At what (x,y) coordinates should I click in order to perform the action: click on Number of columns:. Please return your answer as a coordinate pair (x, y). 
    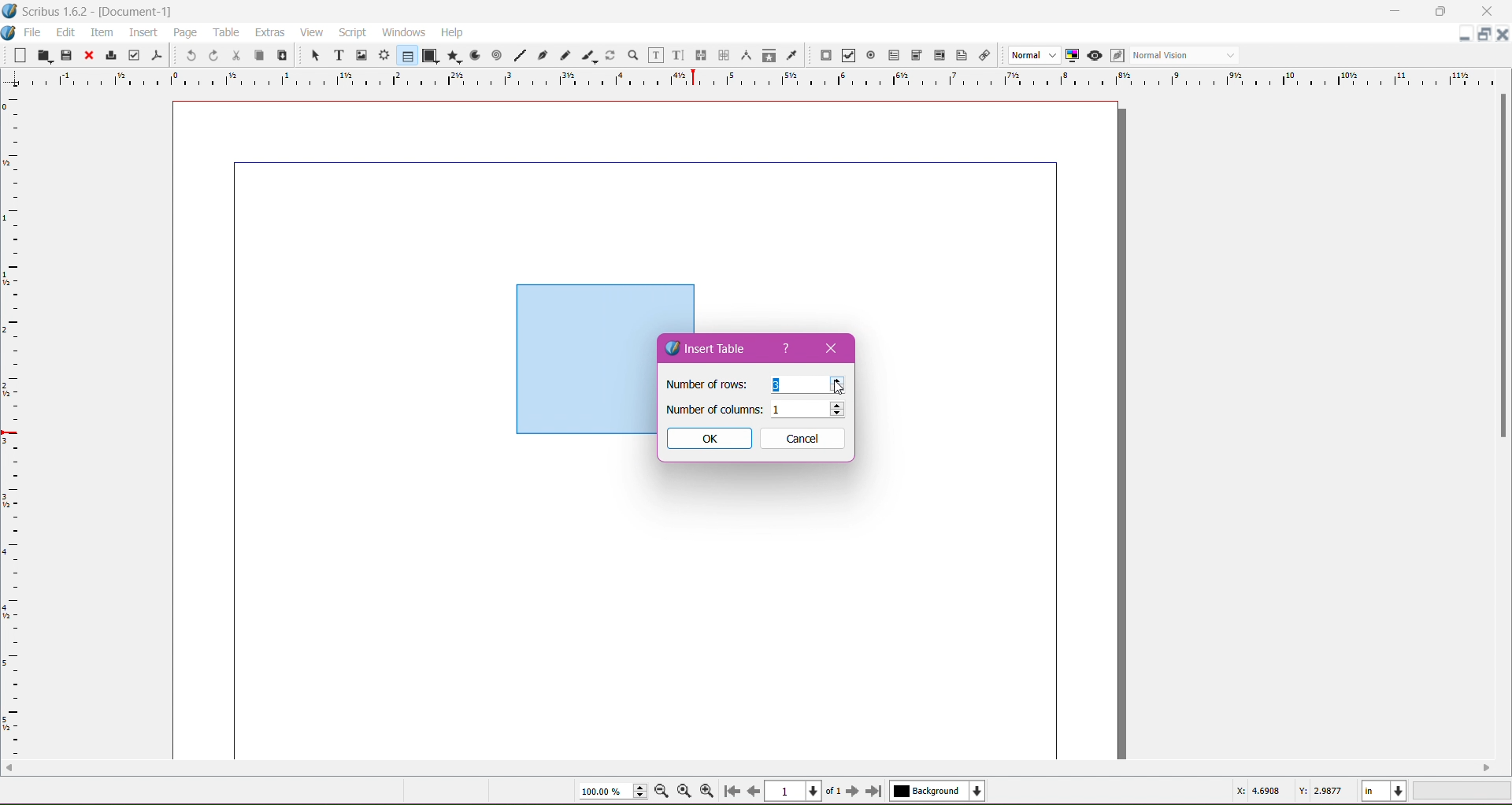
    Looking at the image, I should click on (713, 409).